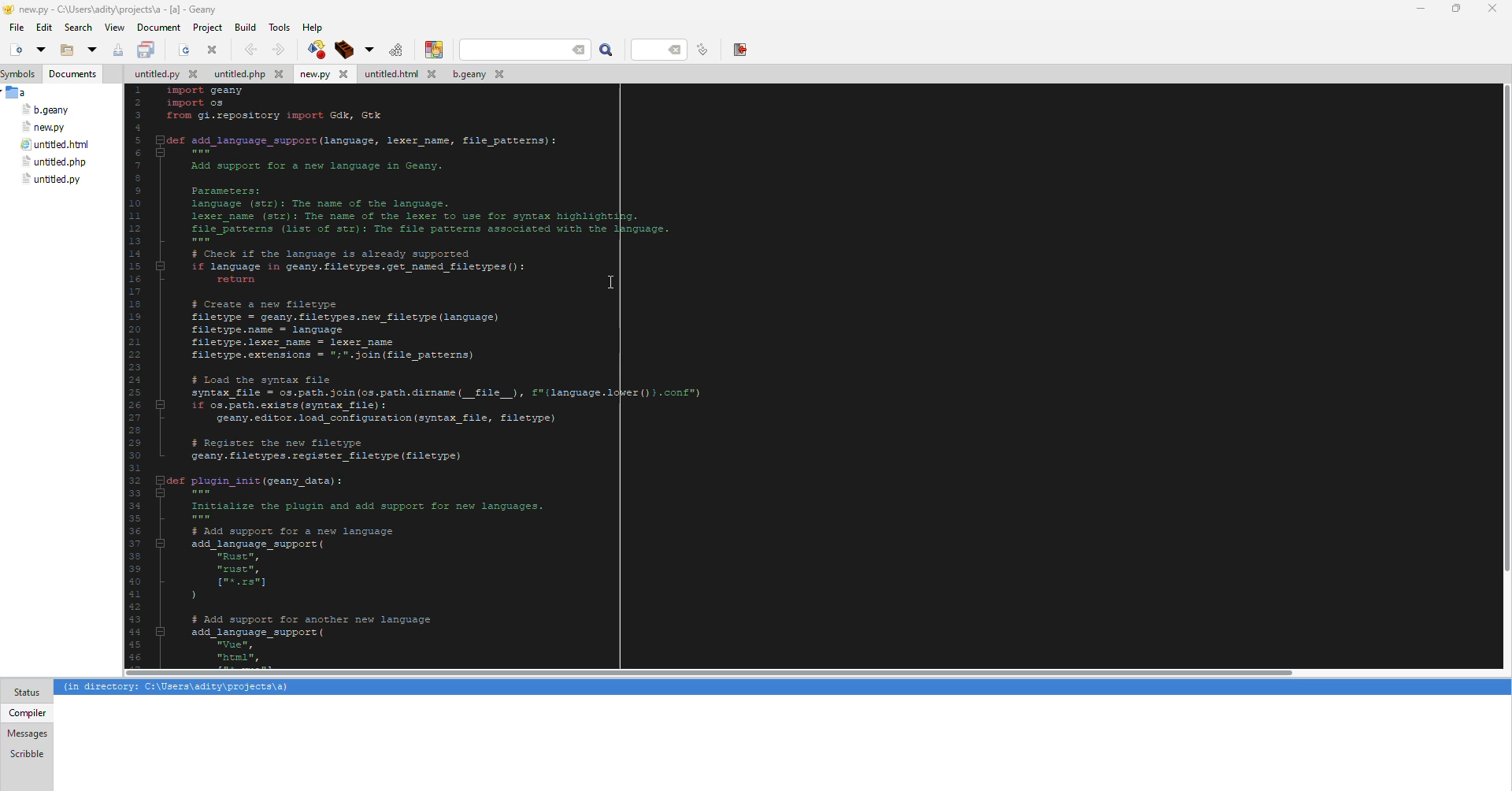 This screenshot has width=1512, height=791. What do you see at coordinates (345, 50) in the screenshot?
I see `build` at bounding box center [345, 50].